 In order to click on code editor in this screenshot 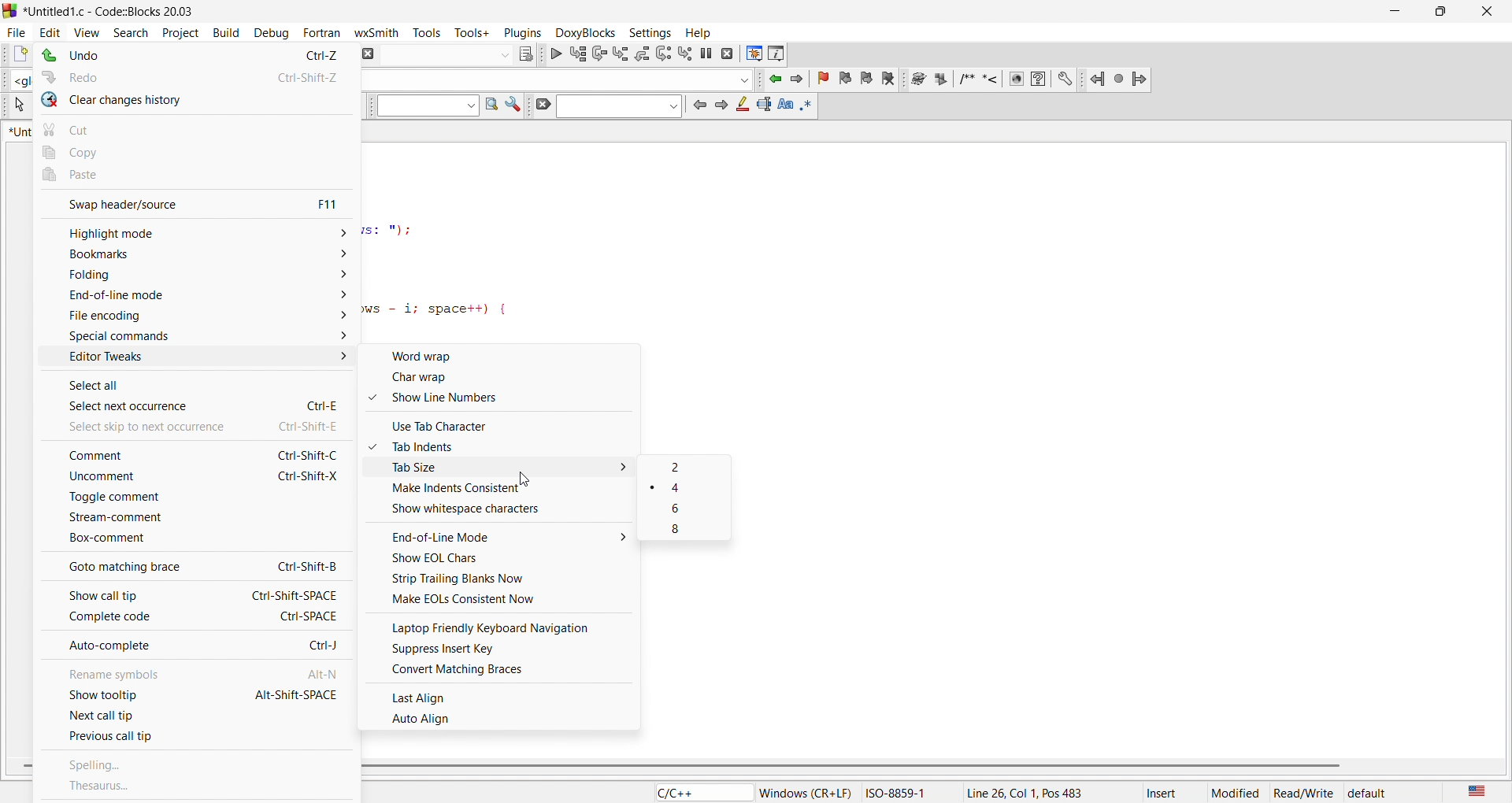, I will do `click(598, 237)`.